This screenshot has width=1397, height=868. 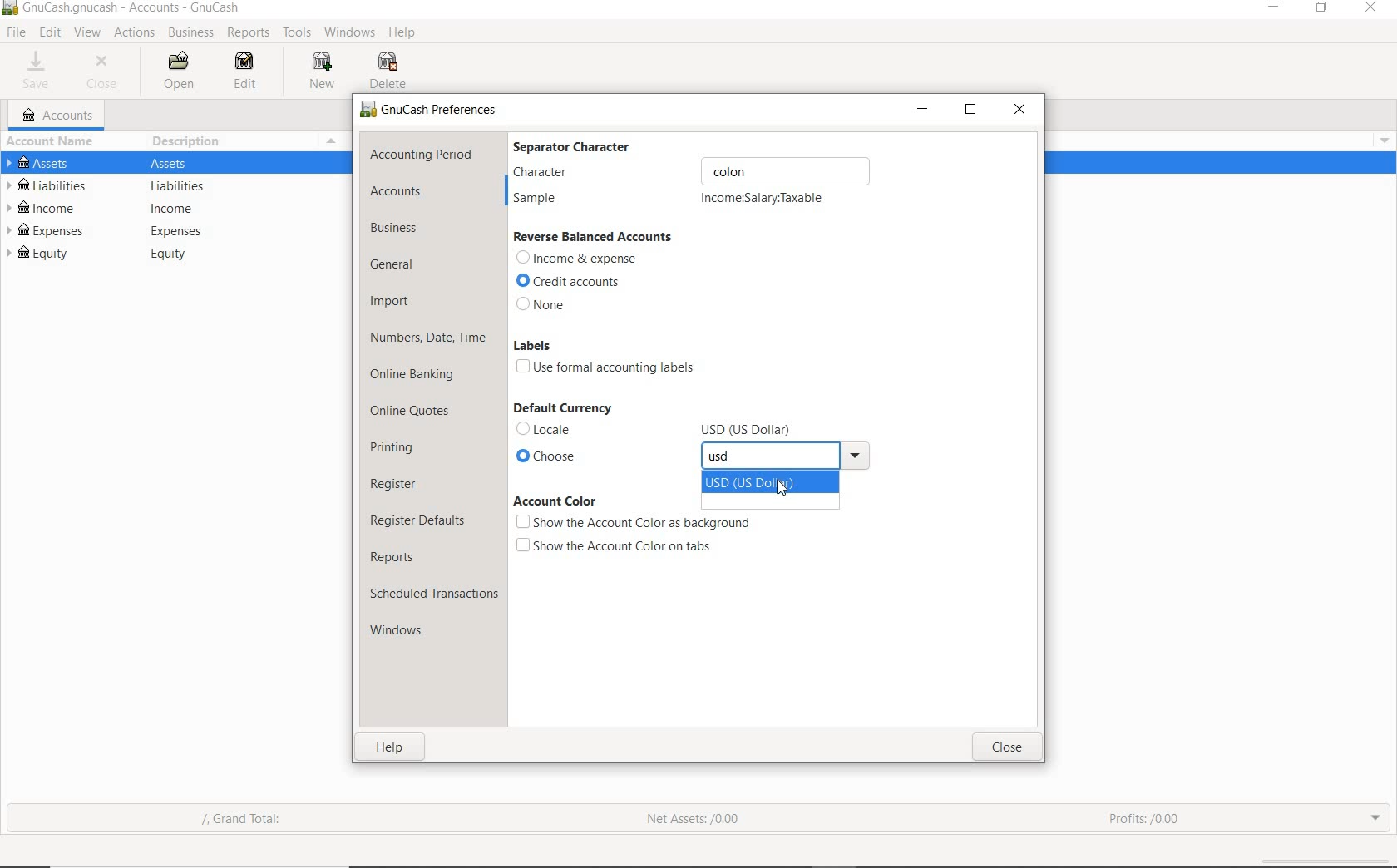 I want to click on HELP, so click(x=405, y=33).